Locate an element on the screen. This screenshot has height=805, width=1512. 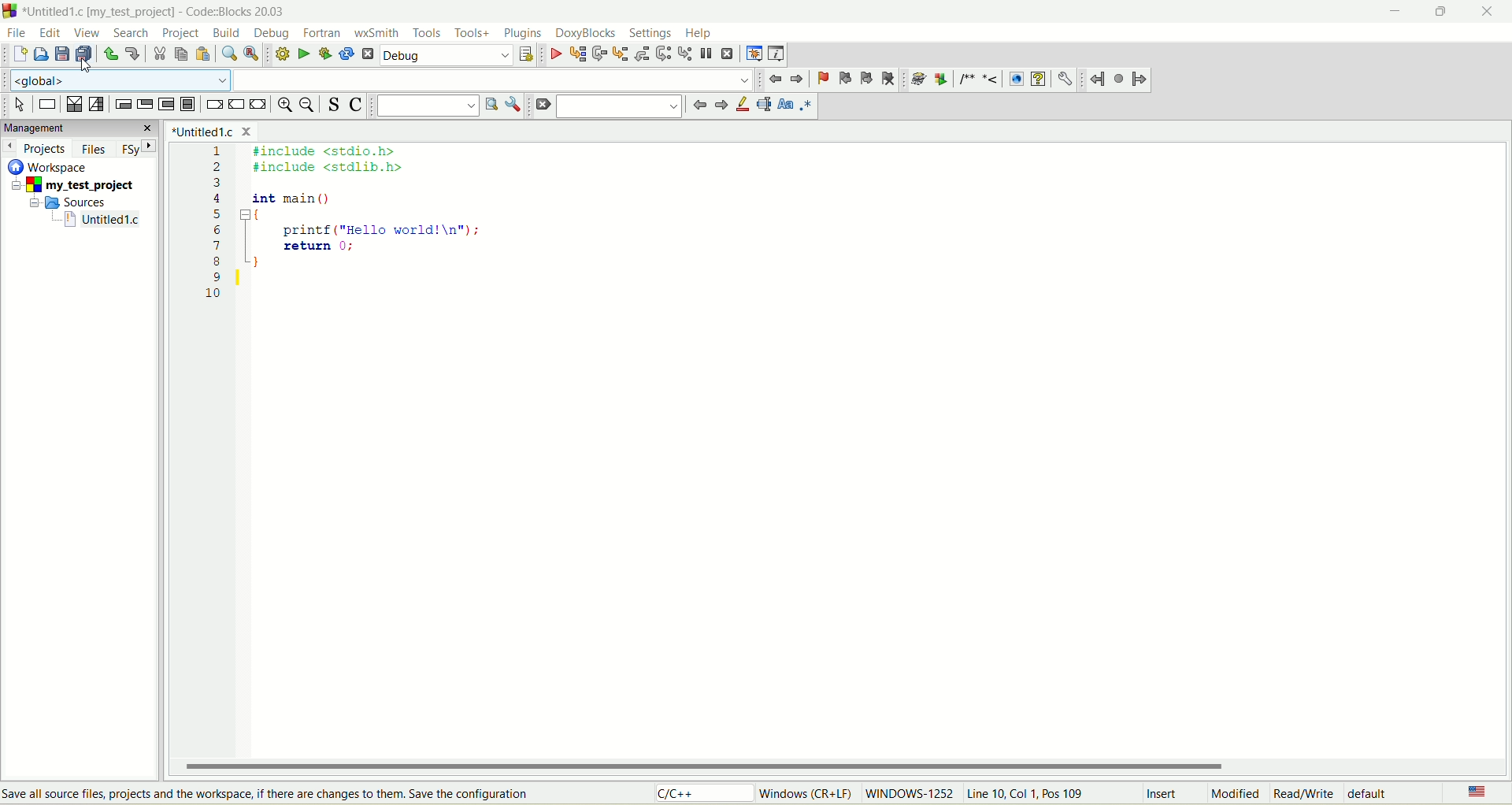
last jump is located at coordinates (1119, 80).